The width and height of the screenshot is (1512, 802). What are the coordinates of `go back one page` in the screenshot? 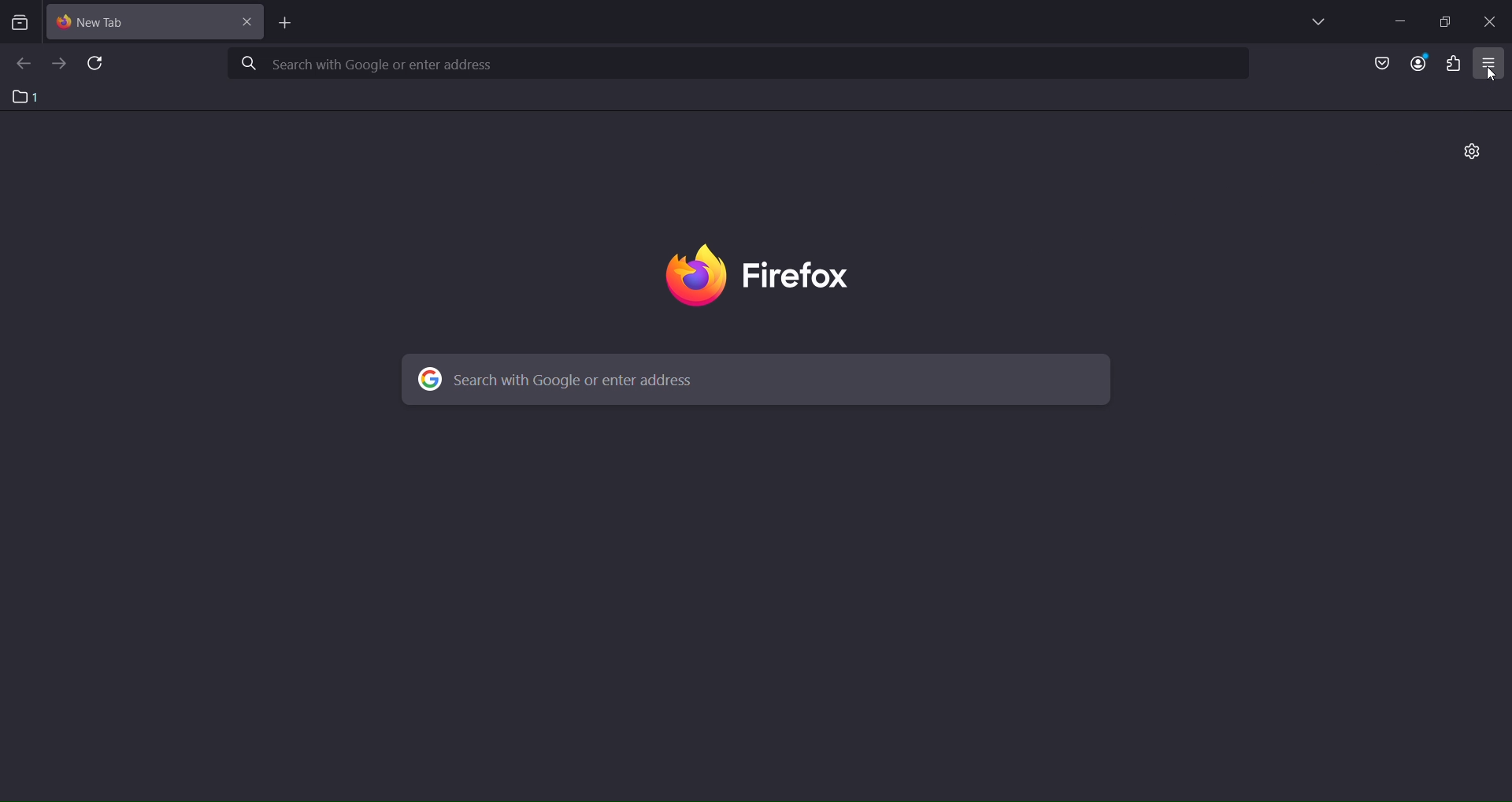 It's located at (23, 65).